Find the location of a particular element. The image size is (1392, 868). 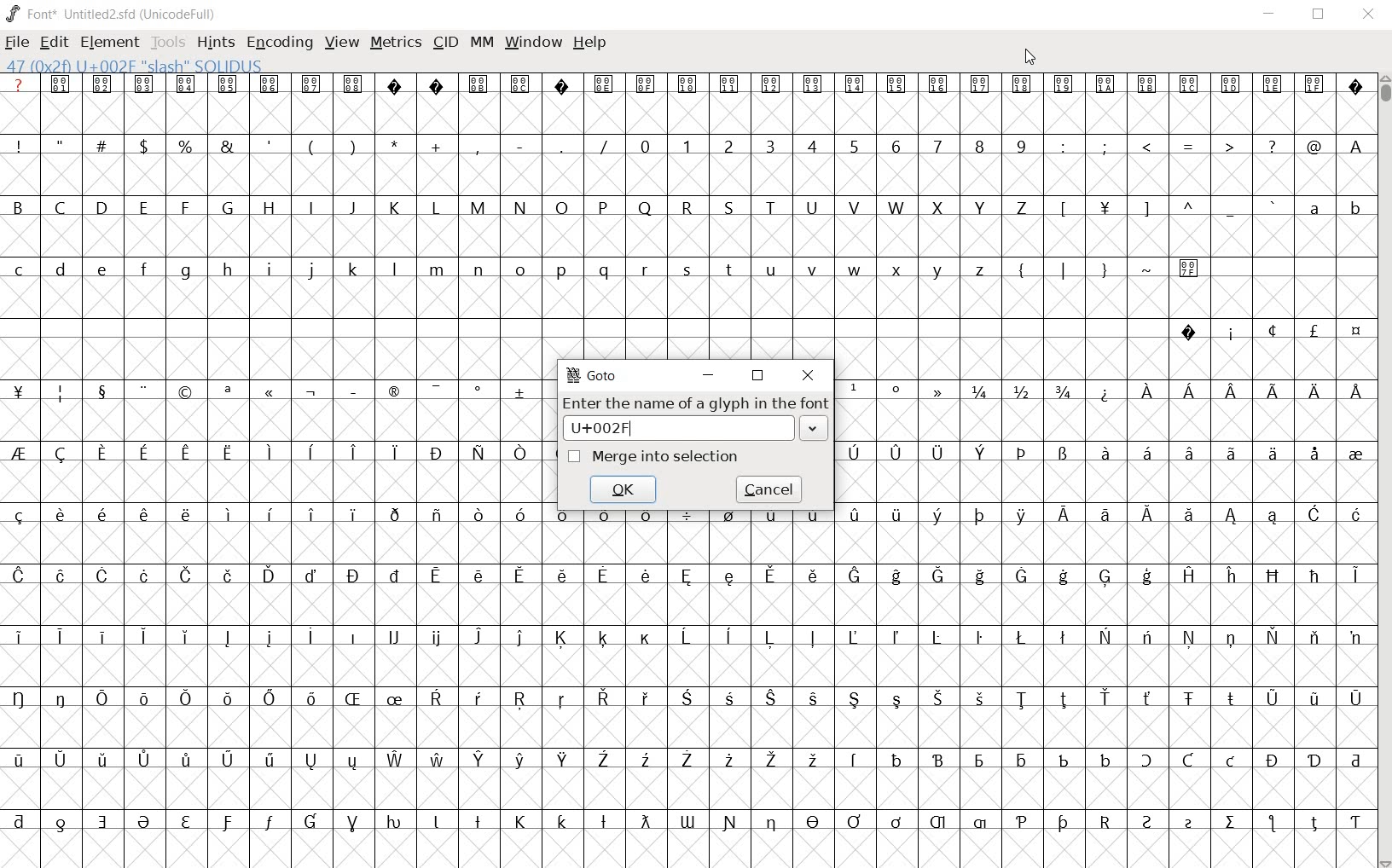

empty cells is located at coordinates (1099, 478).